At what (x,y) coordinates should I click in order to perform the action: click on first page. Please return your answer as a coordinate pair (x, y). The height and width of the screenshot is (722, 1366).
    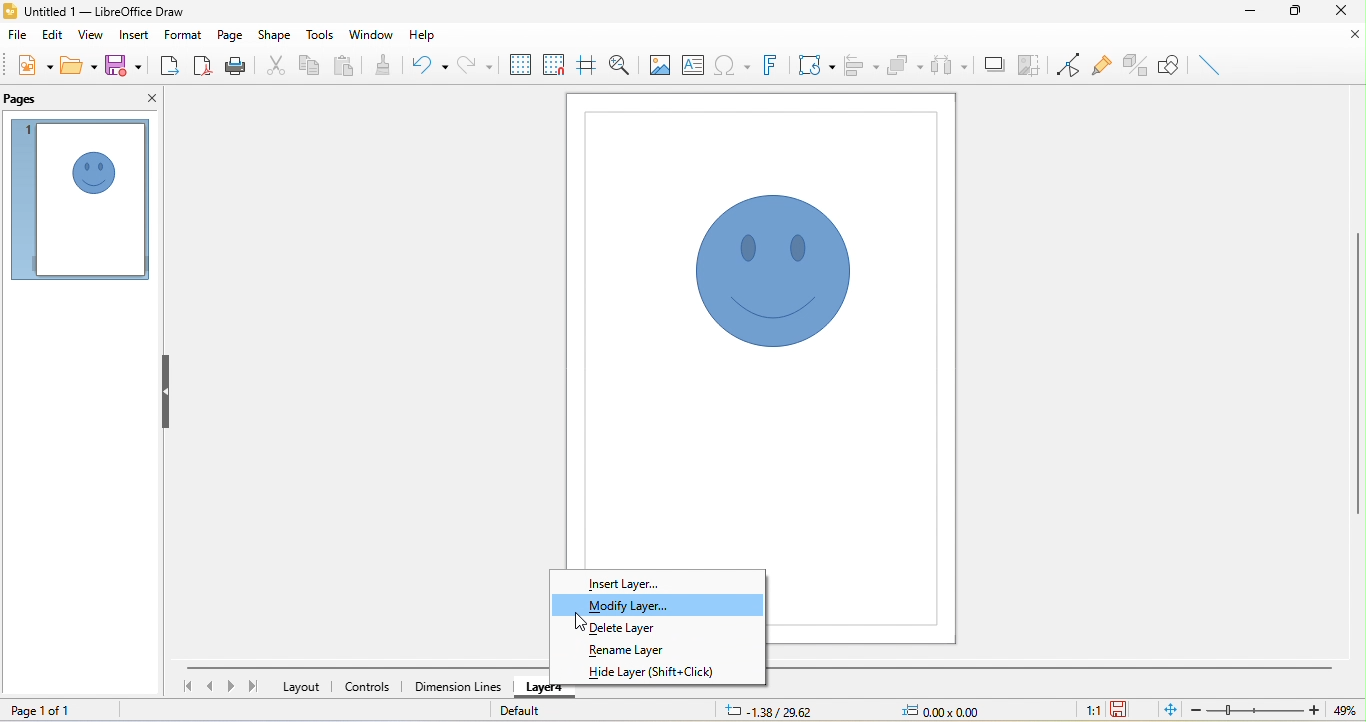
    Looking at the image, I should click on (184, 686).